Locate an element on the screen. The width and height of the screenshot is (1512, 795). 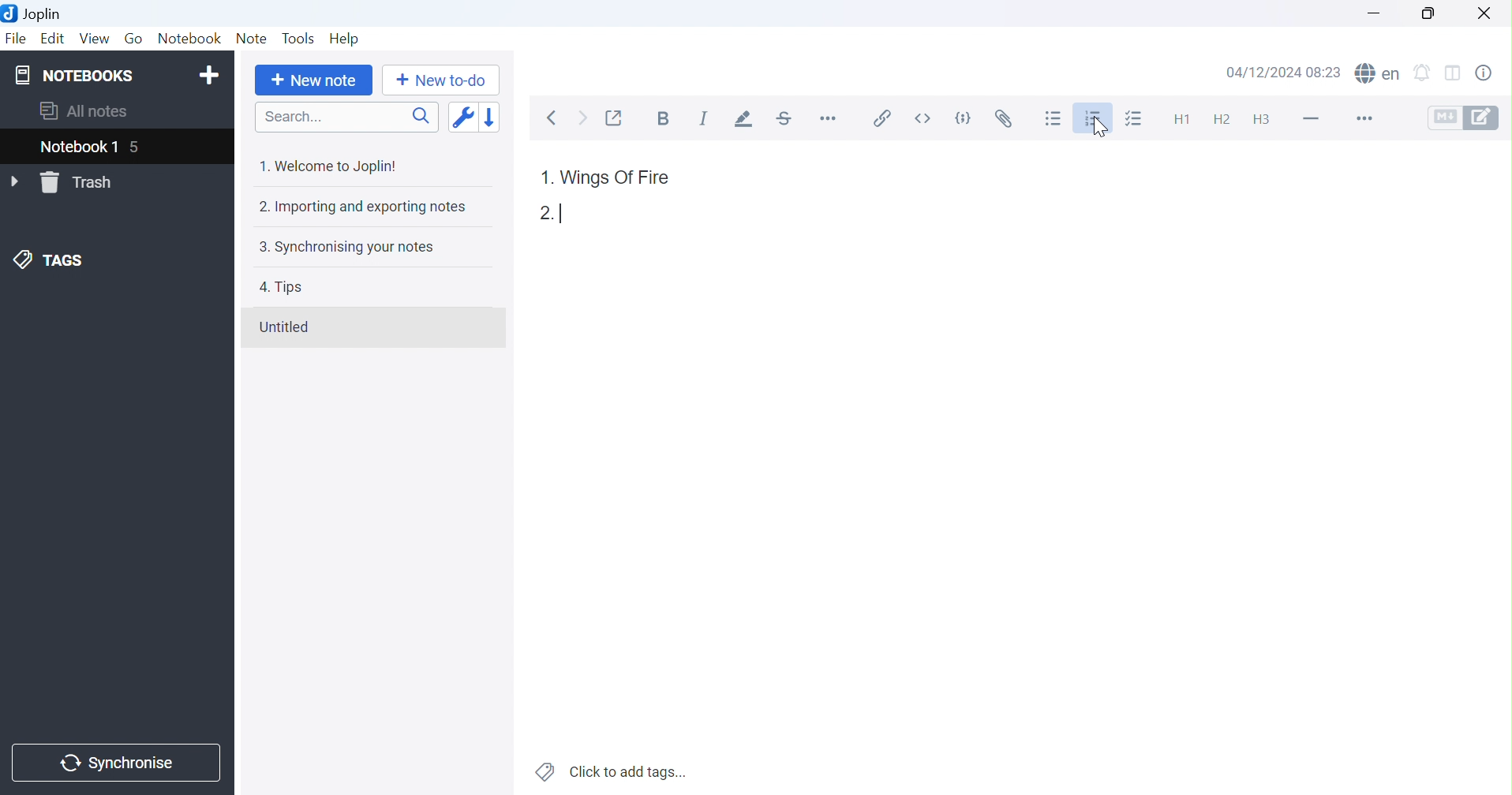
View is located at coordinates (96, 38).